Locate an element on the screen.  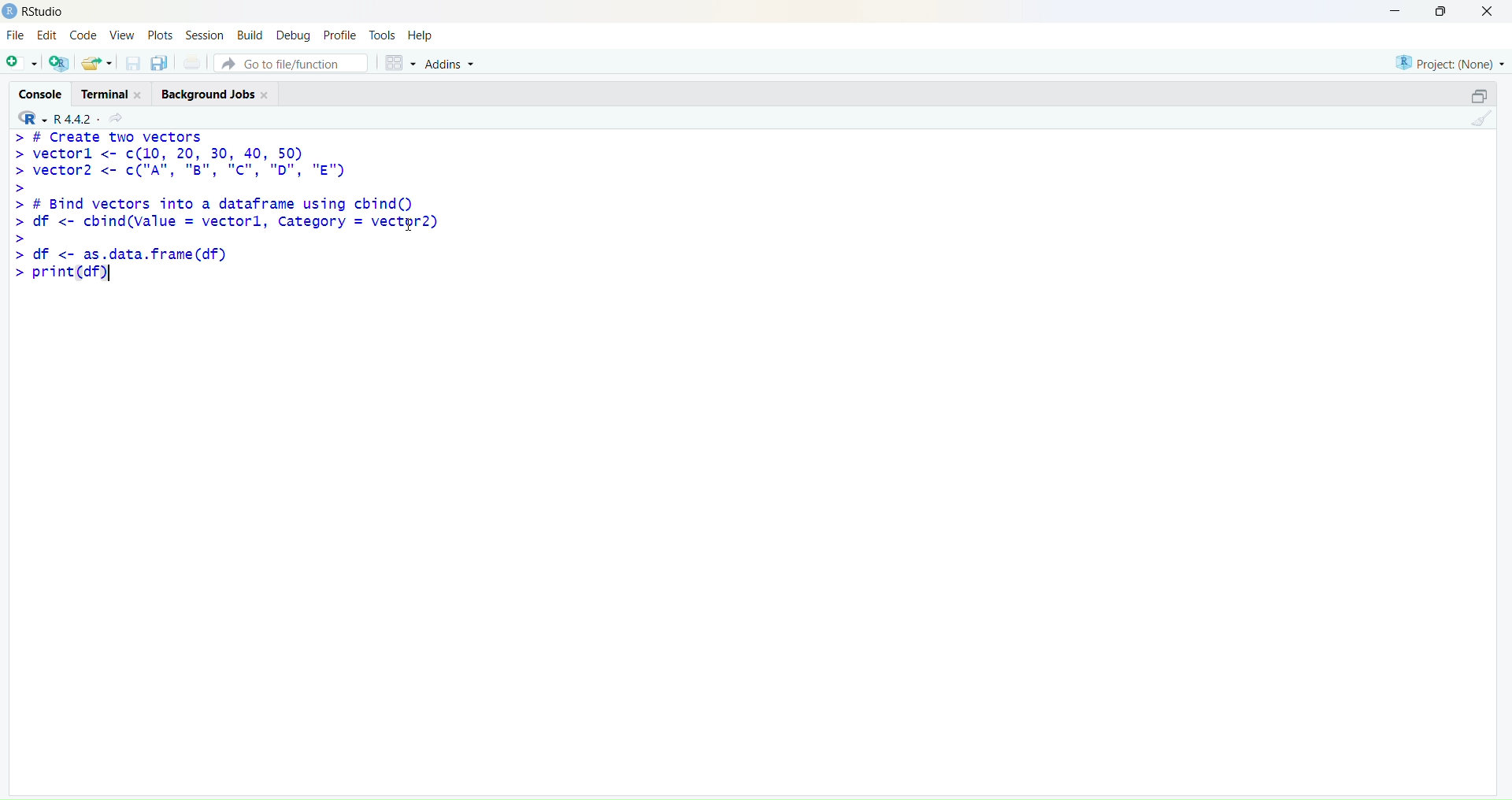
View is located at coordinates (121, 35).